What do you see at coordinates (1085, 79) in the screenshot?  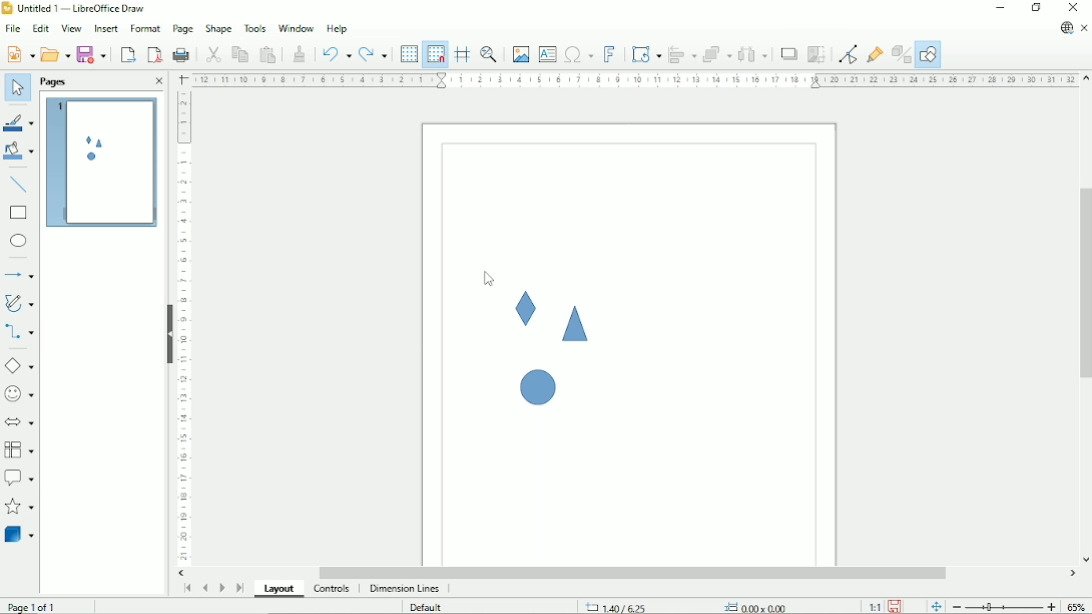 I see `Vertical scroll button` at bounding box center [1085, 79].